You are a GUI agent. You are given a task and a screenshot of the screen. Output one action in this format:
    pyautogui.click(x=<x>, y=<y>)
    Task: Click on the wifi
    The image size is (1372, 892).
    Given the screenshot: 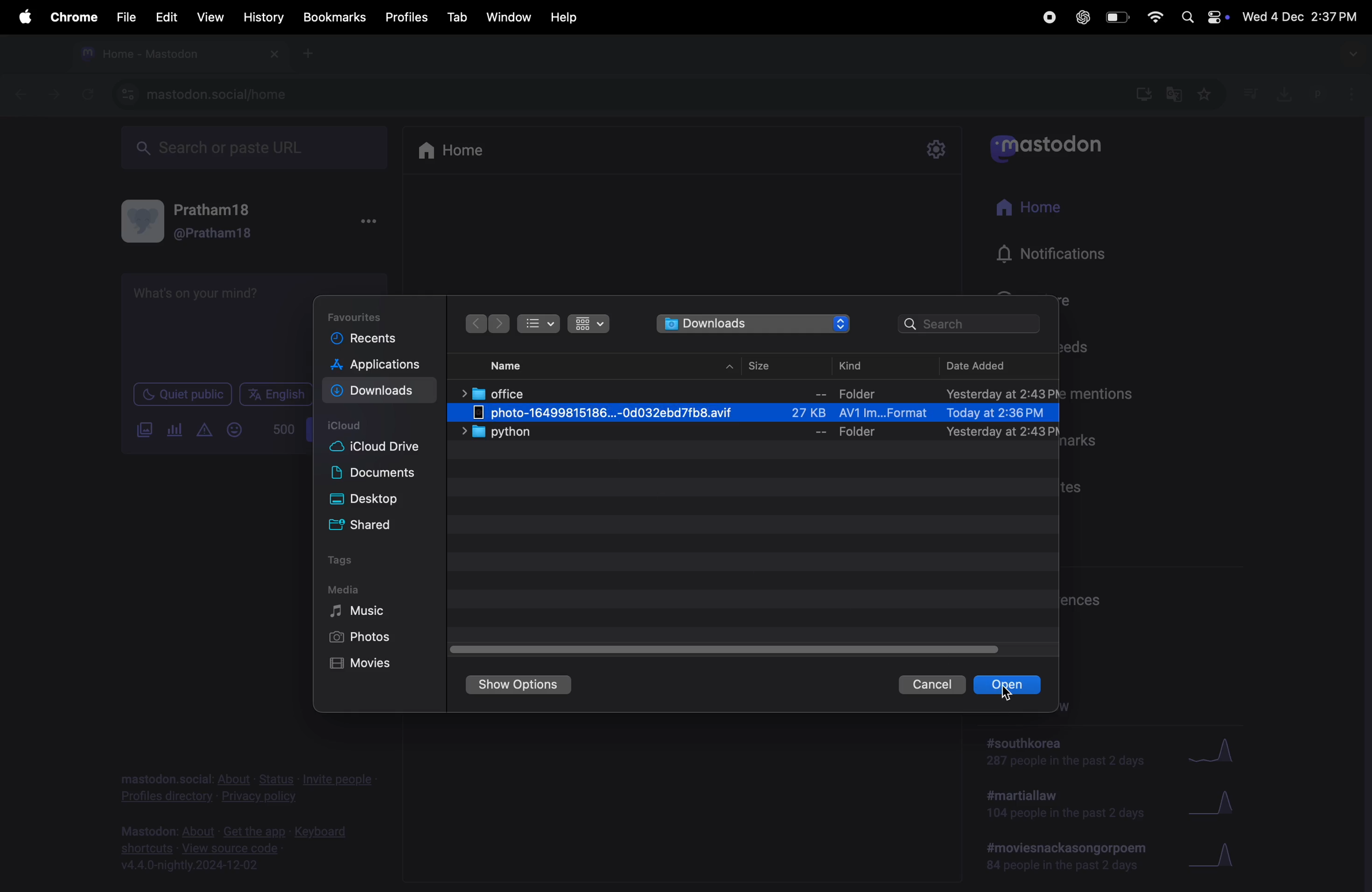 What is the action you would take?
    pyautogui.click(x=1153, y=17)
    